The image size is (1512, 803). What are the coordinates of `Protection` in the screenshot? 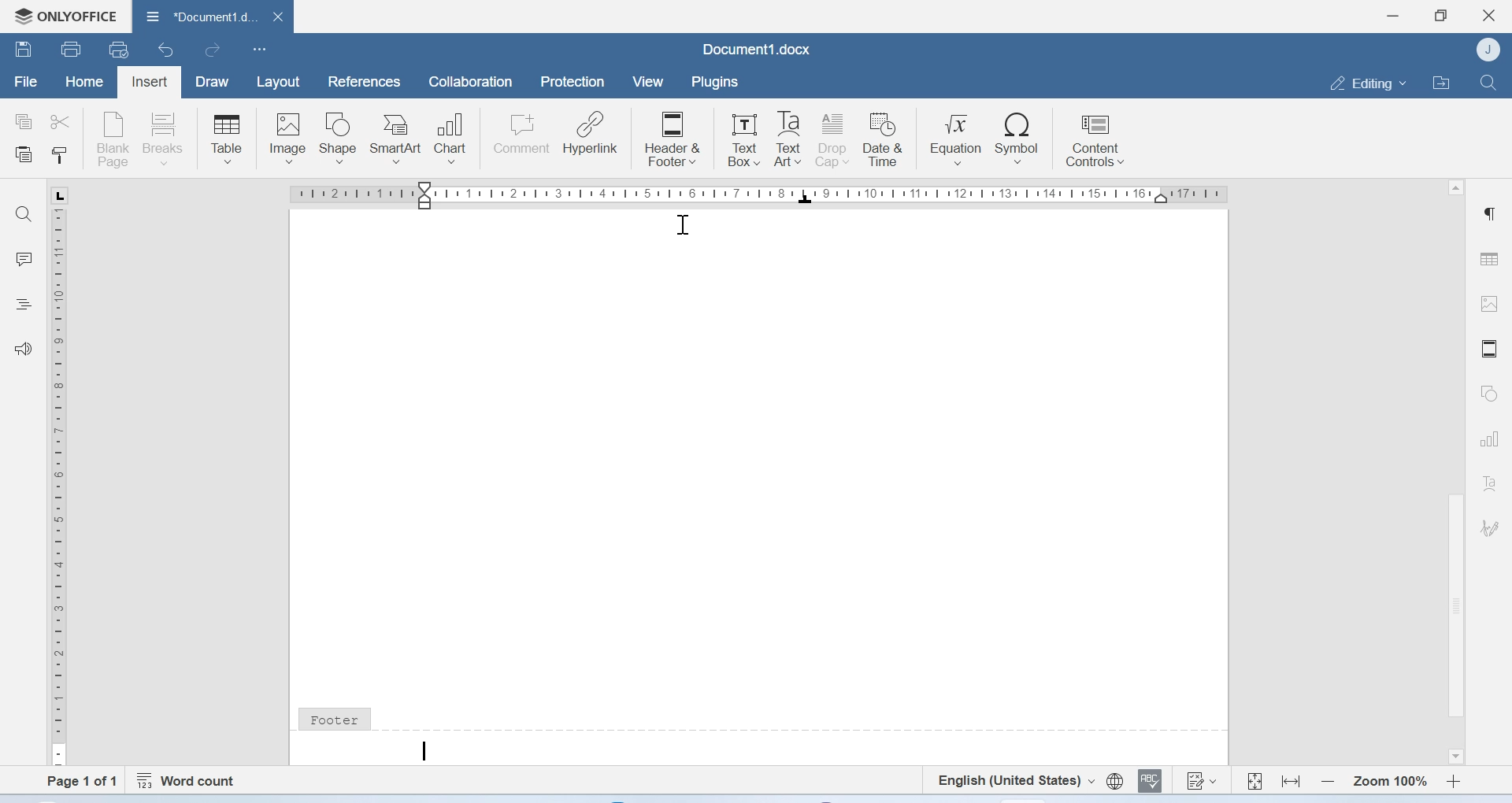 It's located at (574, 83).